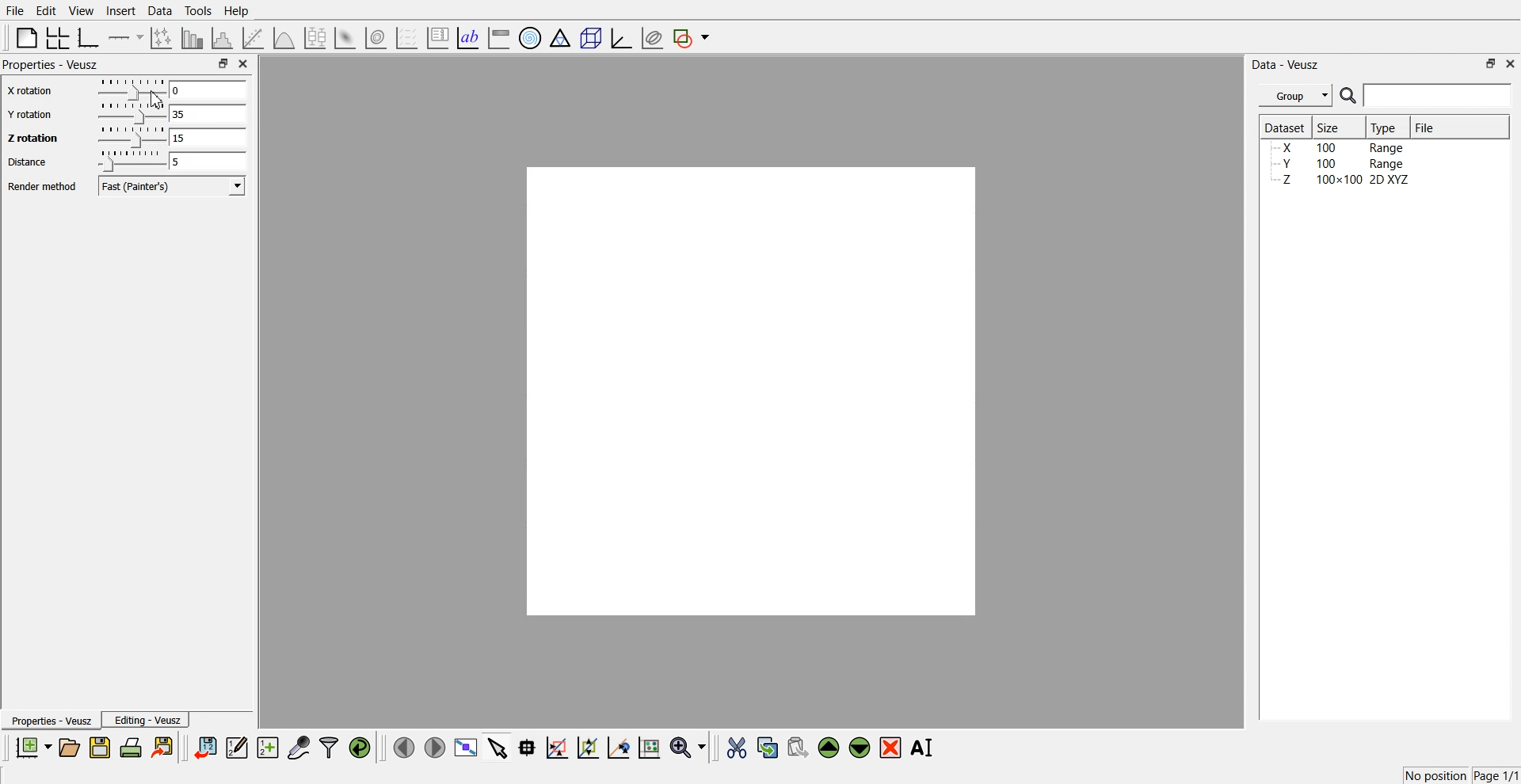 The height and width of the screenshot is (784, 1521). I want to click on Insert, so click(120, 10).